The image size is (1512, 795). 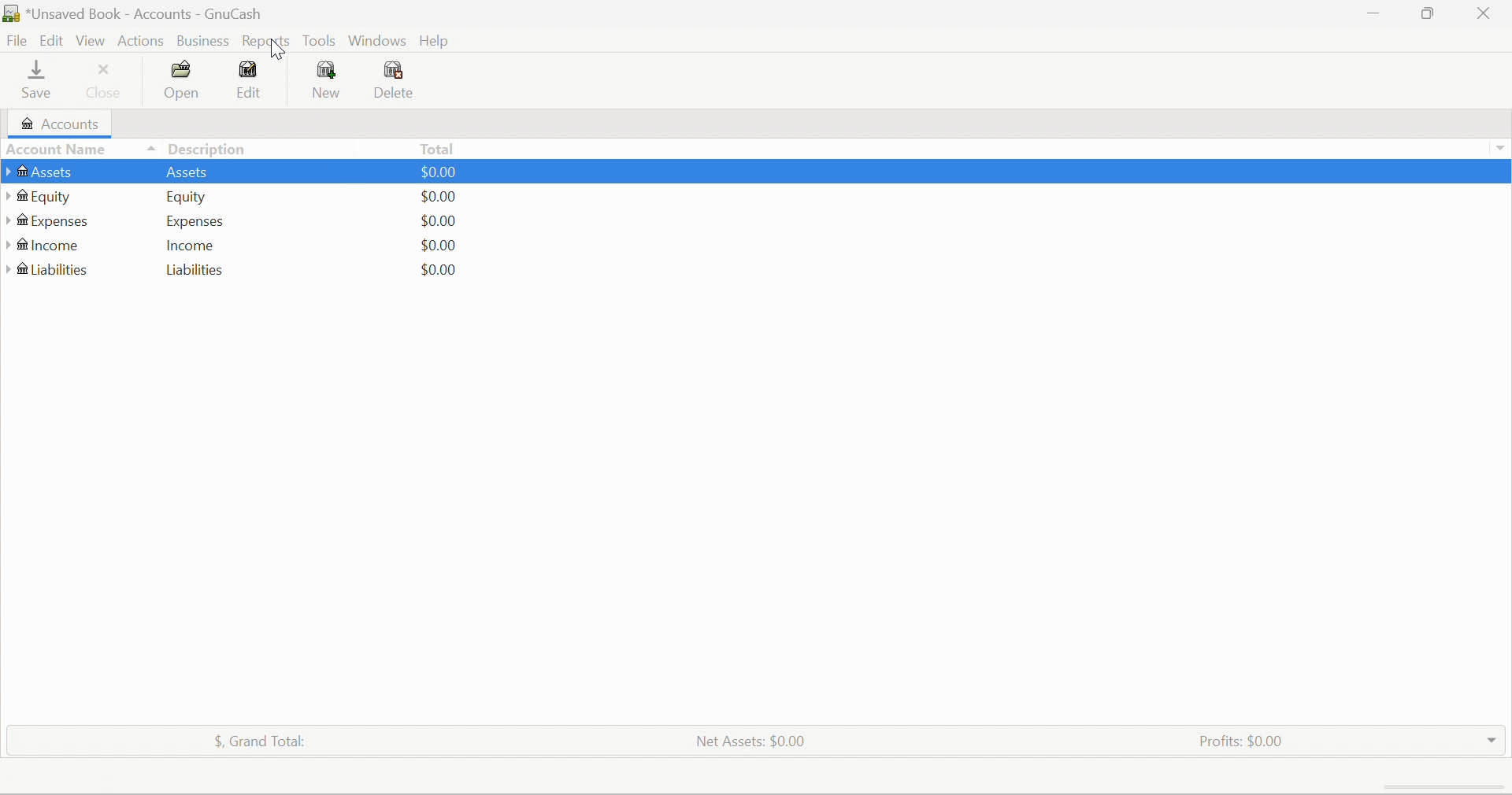 I want to click on $0.00, so click(x=437, y=222).